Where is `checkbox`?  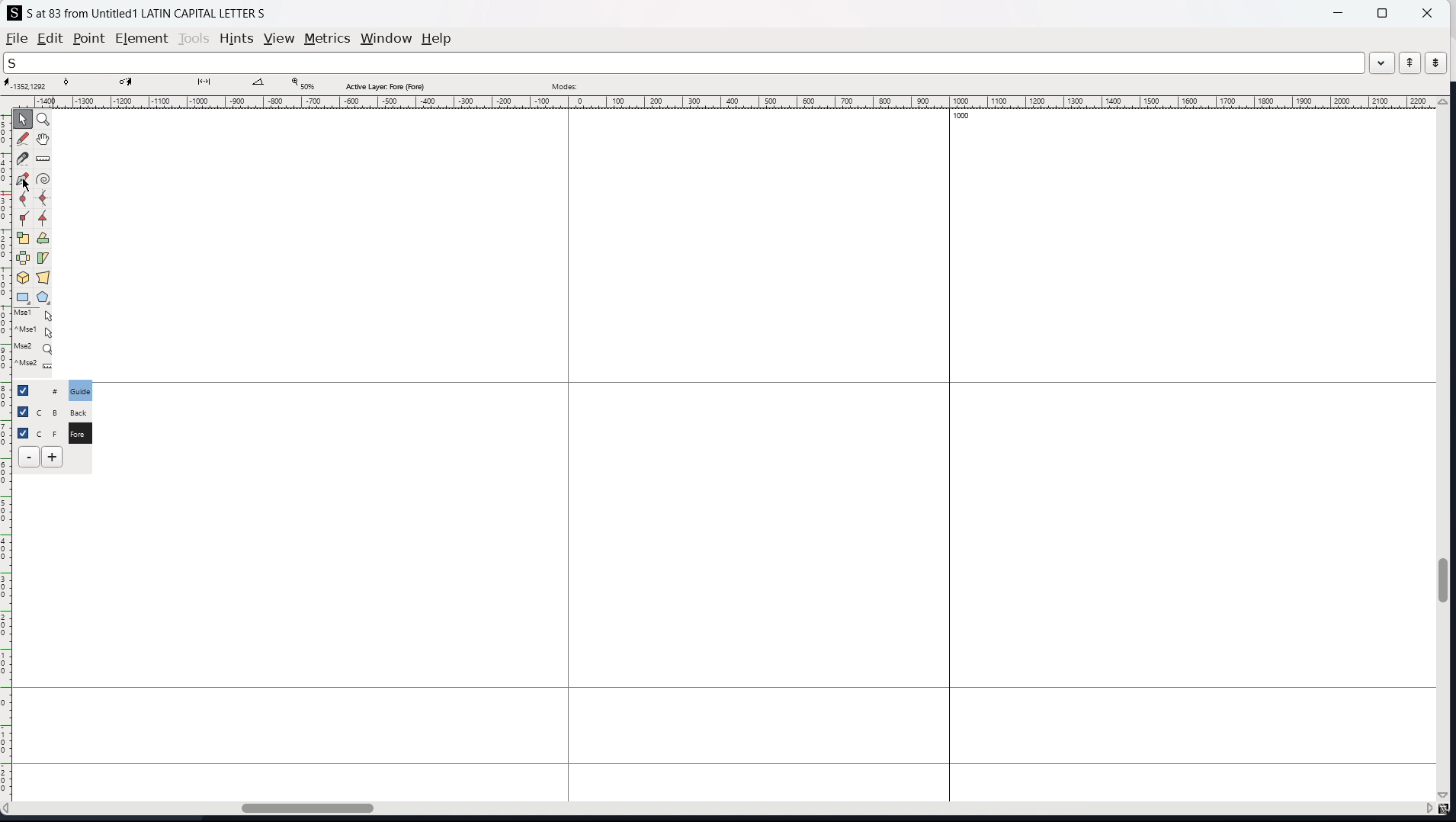
checkbox is located at coordinates (22, 410).